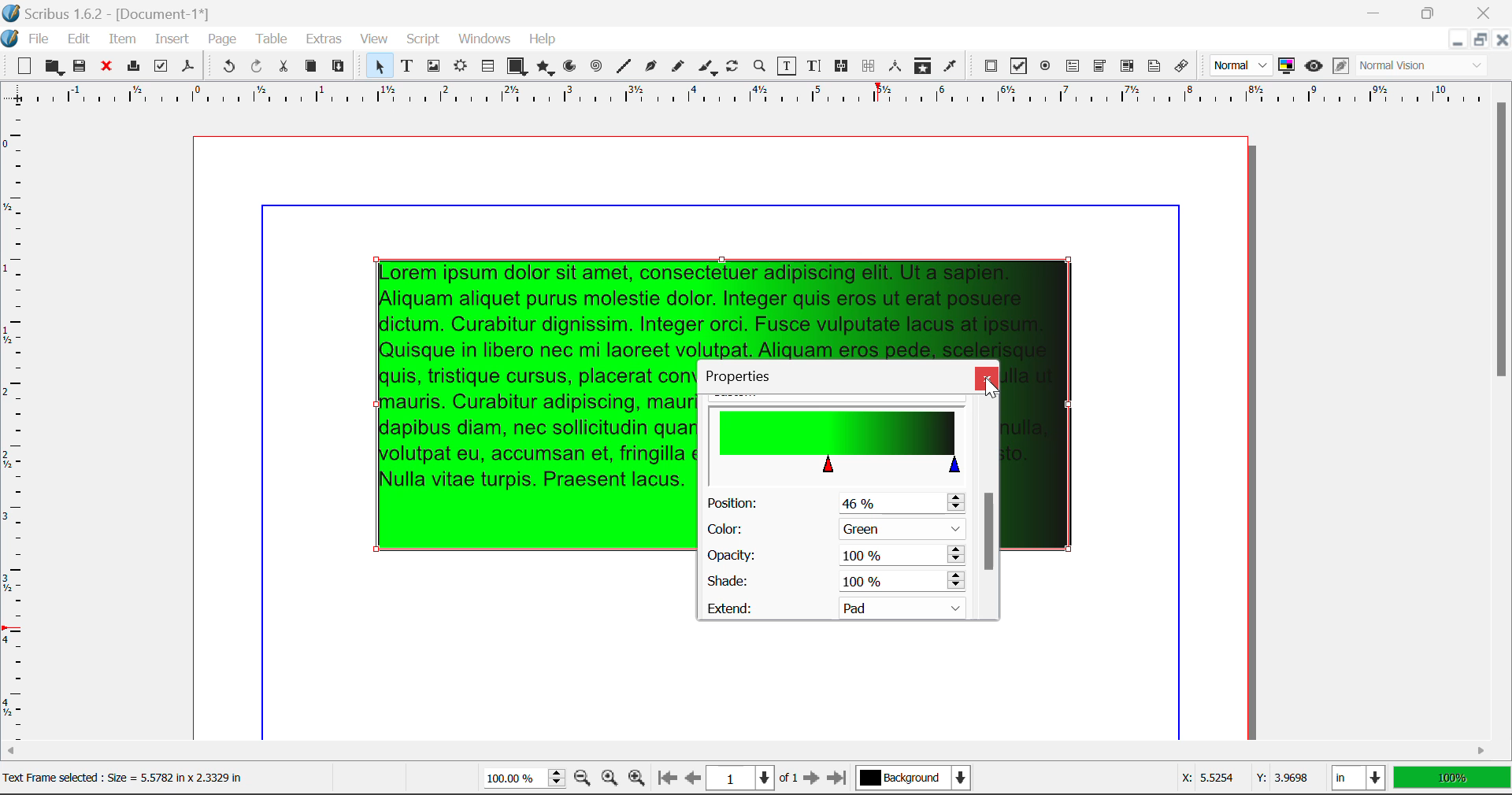  I want to click on PDF Radio Button, so click(1045, 68).